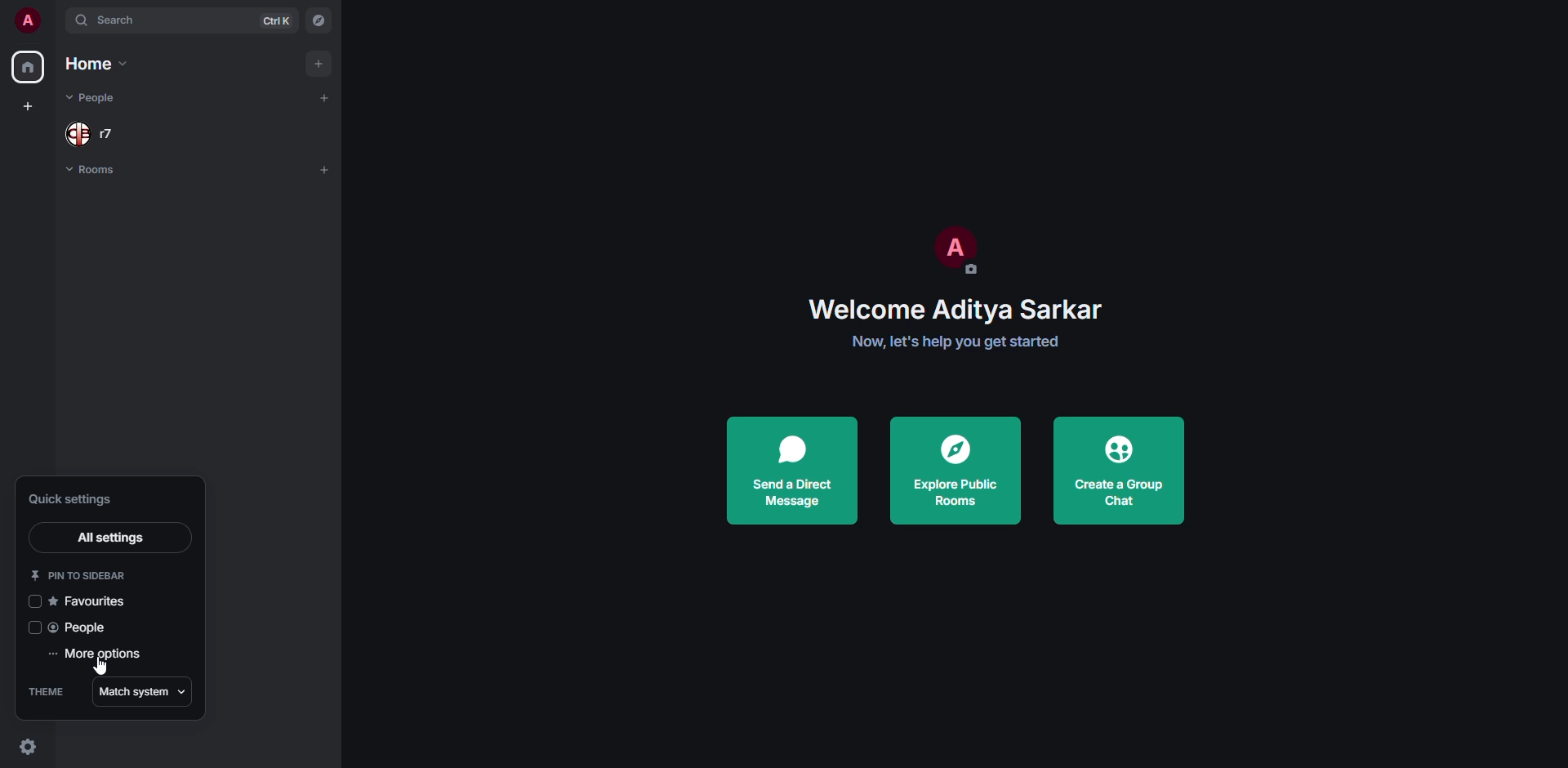 Image resolution: width=1568 pixels, height=768 pixels. Describe the element at coordinates (94, 602) in the screenshot. I see `favorites` at that location.